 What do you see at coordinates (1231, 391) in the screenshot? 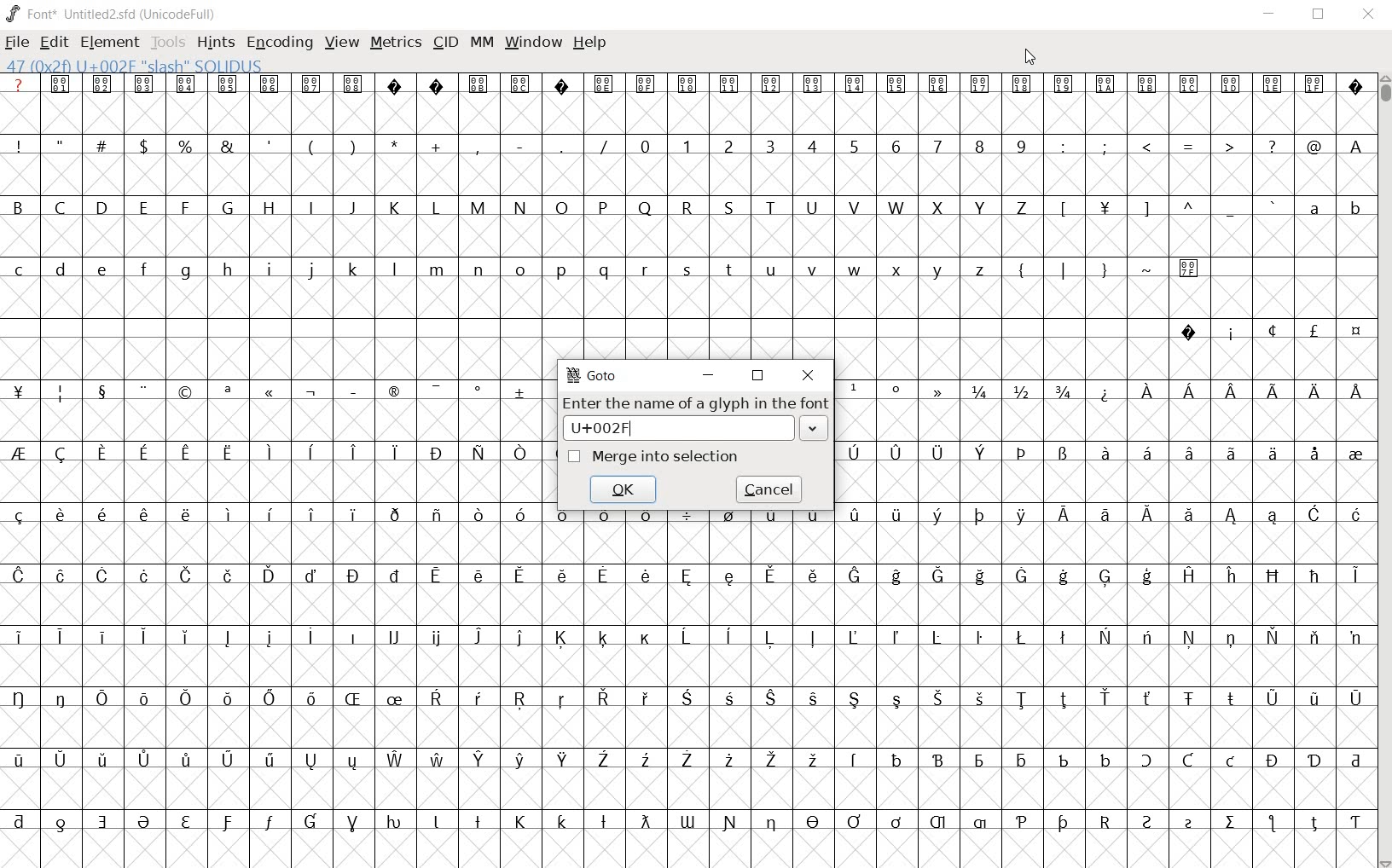
I see `letters` at bounding box center [1231, 391].